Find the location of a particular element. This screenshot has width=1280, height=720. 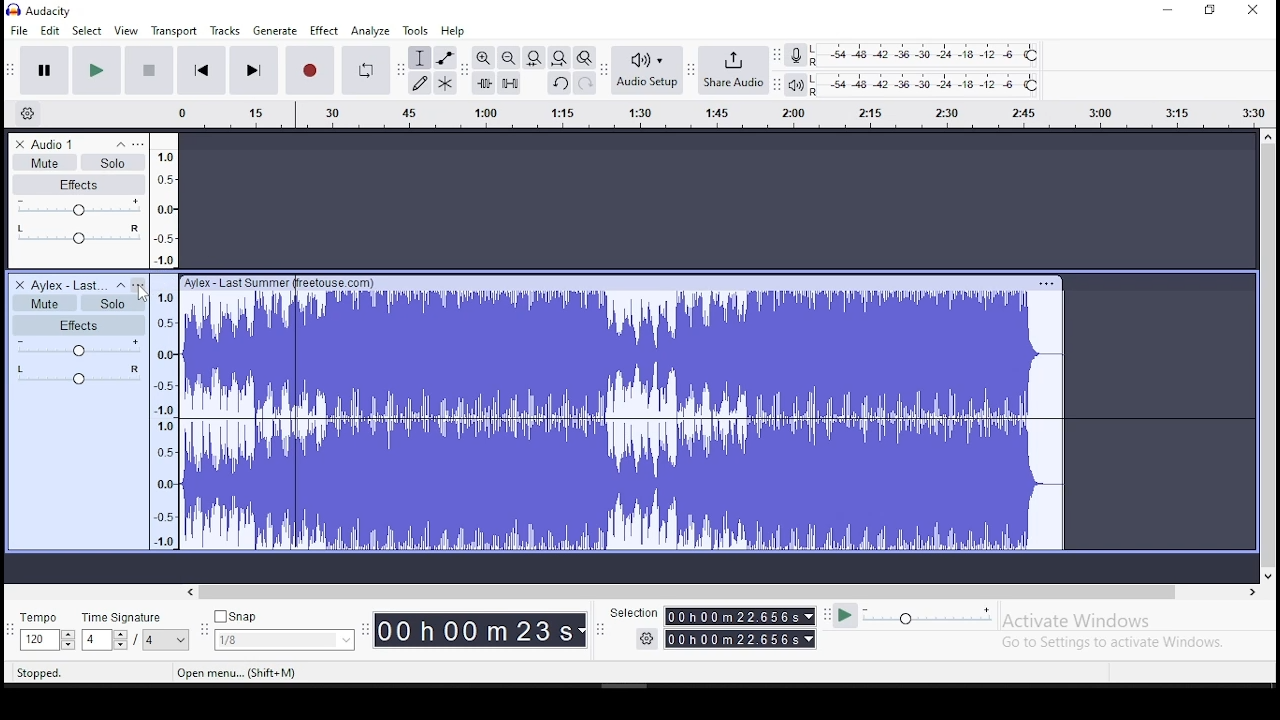

file is located at coordinates (21, 29).